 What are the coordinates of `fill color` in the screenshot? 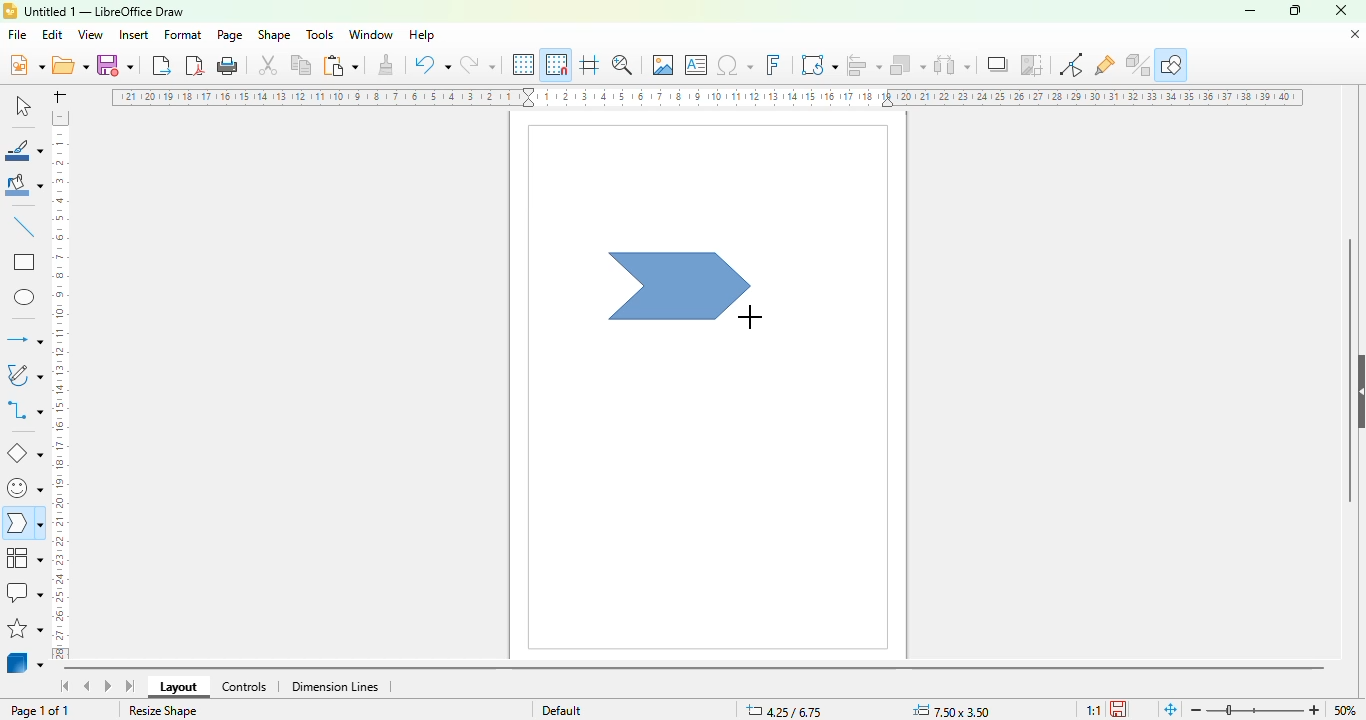 It's located at (25, 185).